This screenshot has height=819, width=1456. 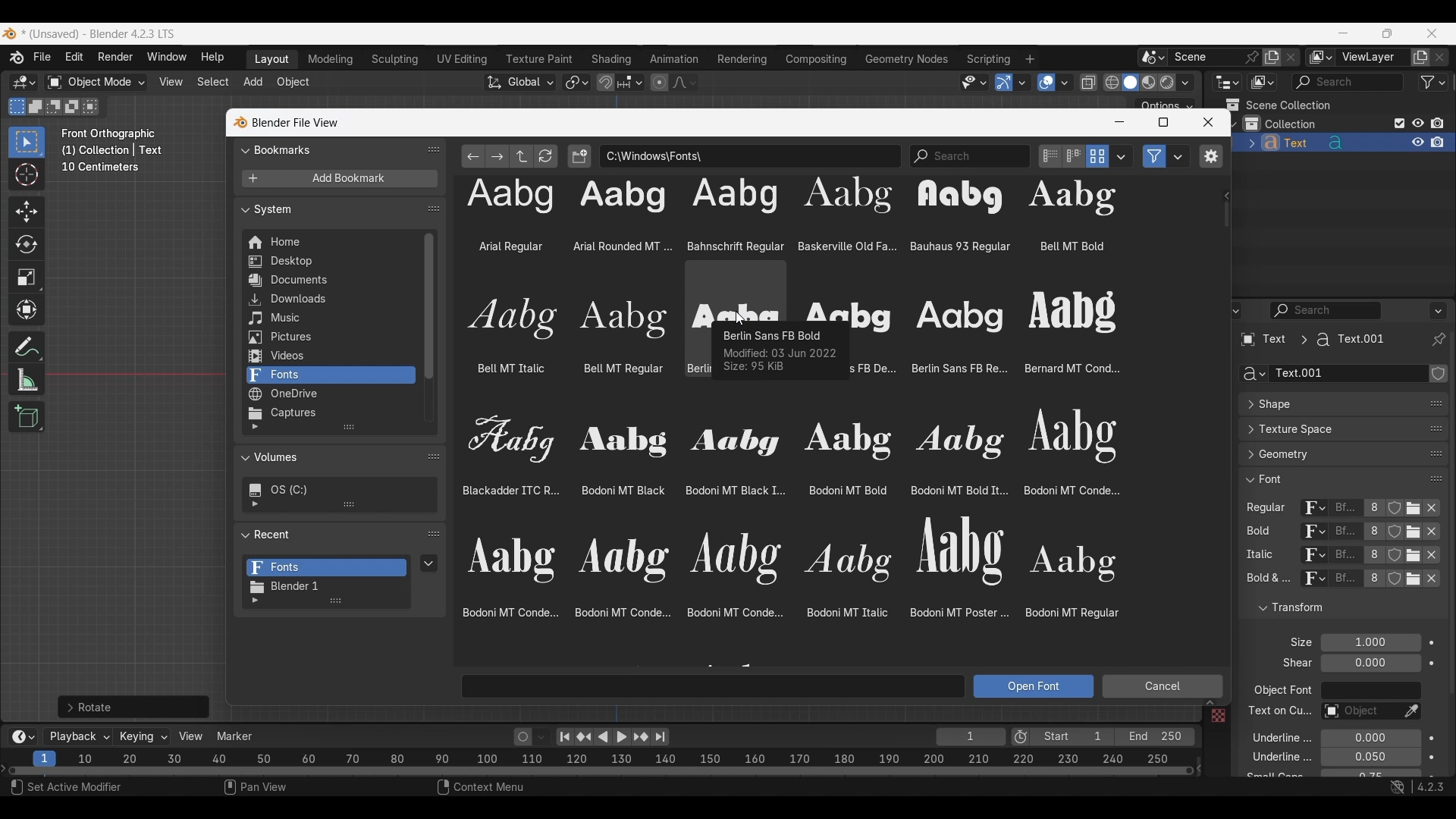 I want to click on Open selected font in Text object, so click(x=1034, y=686).